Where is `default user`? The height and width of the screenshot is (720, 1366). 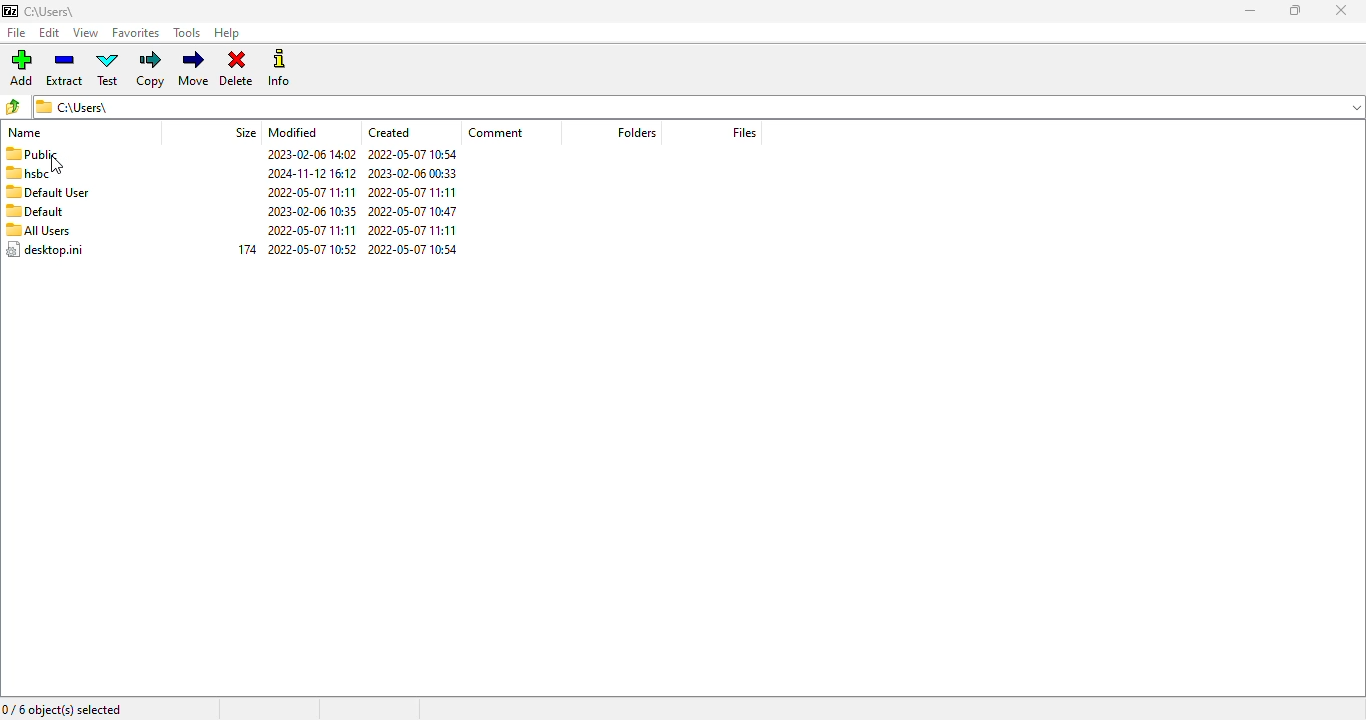
default user is located at coordinates (48, 192).